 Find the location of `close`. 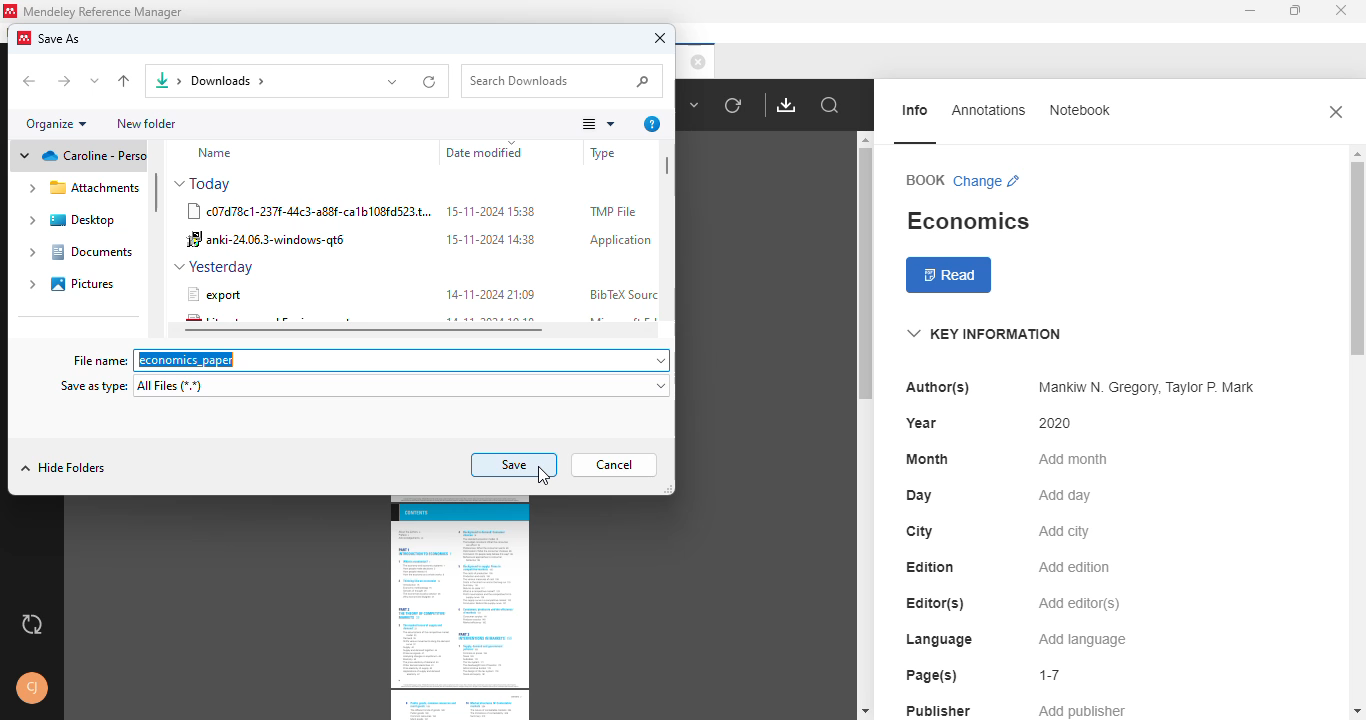

close is located at coordinates (698, 61).